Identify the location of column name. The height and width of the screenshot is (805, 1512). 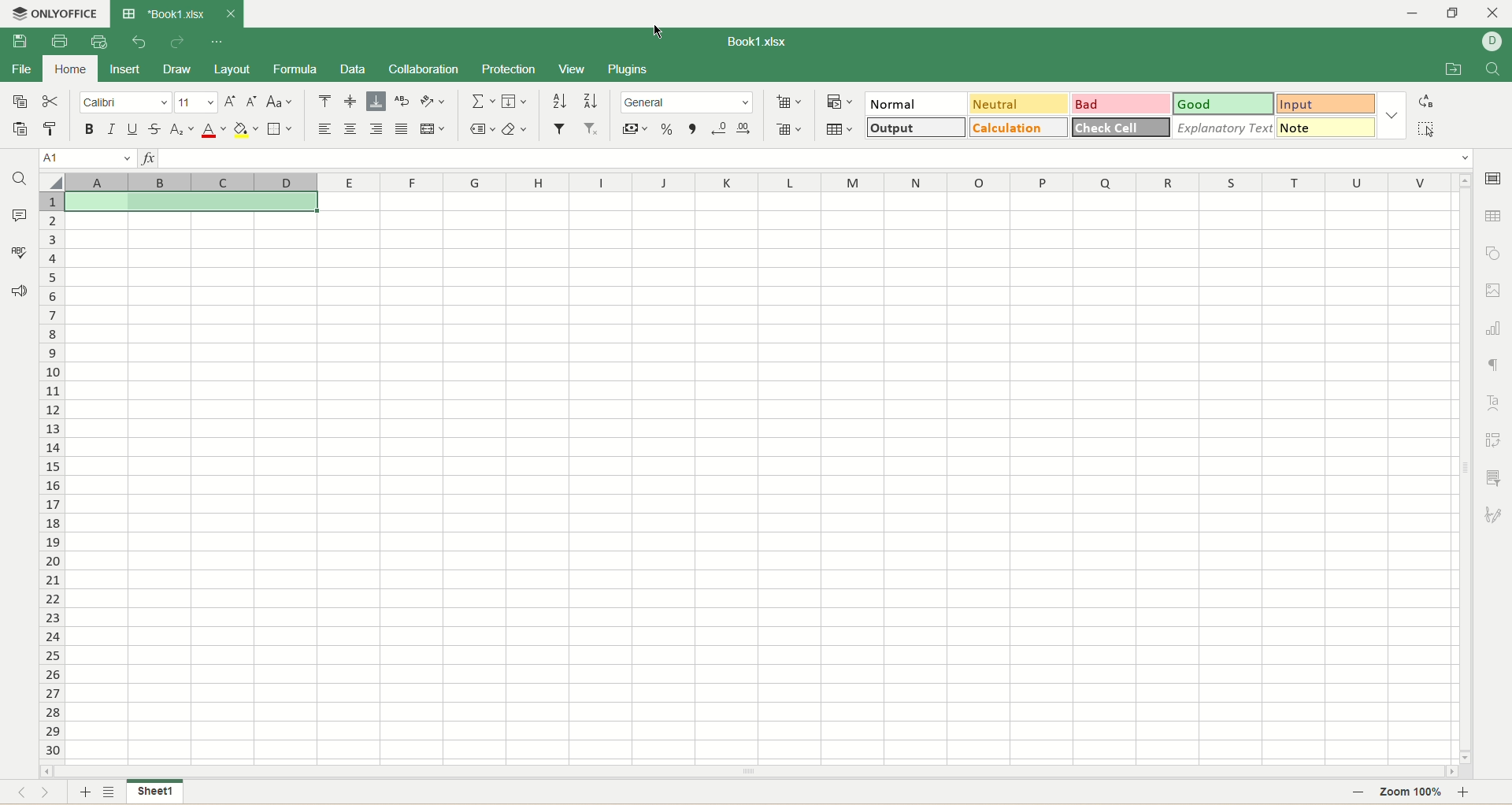
(755, 180).